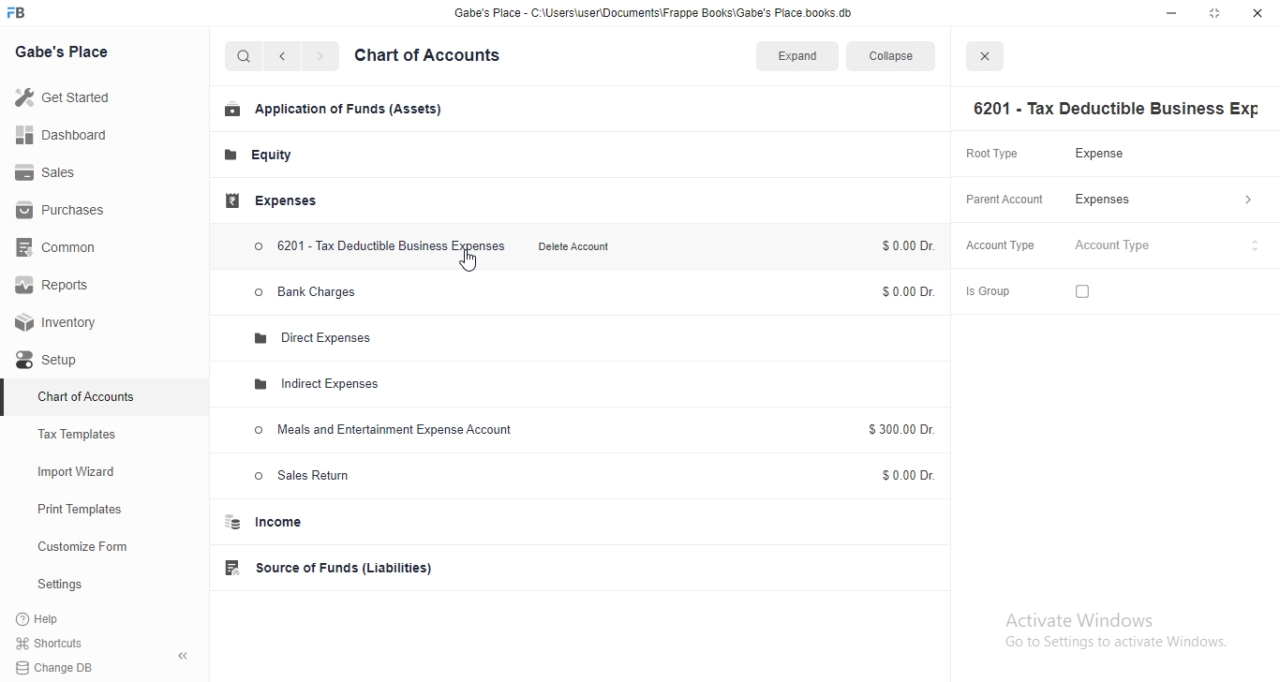 This screenshot has height=682, width=1280. Describe the element at coordinates (69, 96) in the screenshot. I see `Get Started` at that location.